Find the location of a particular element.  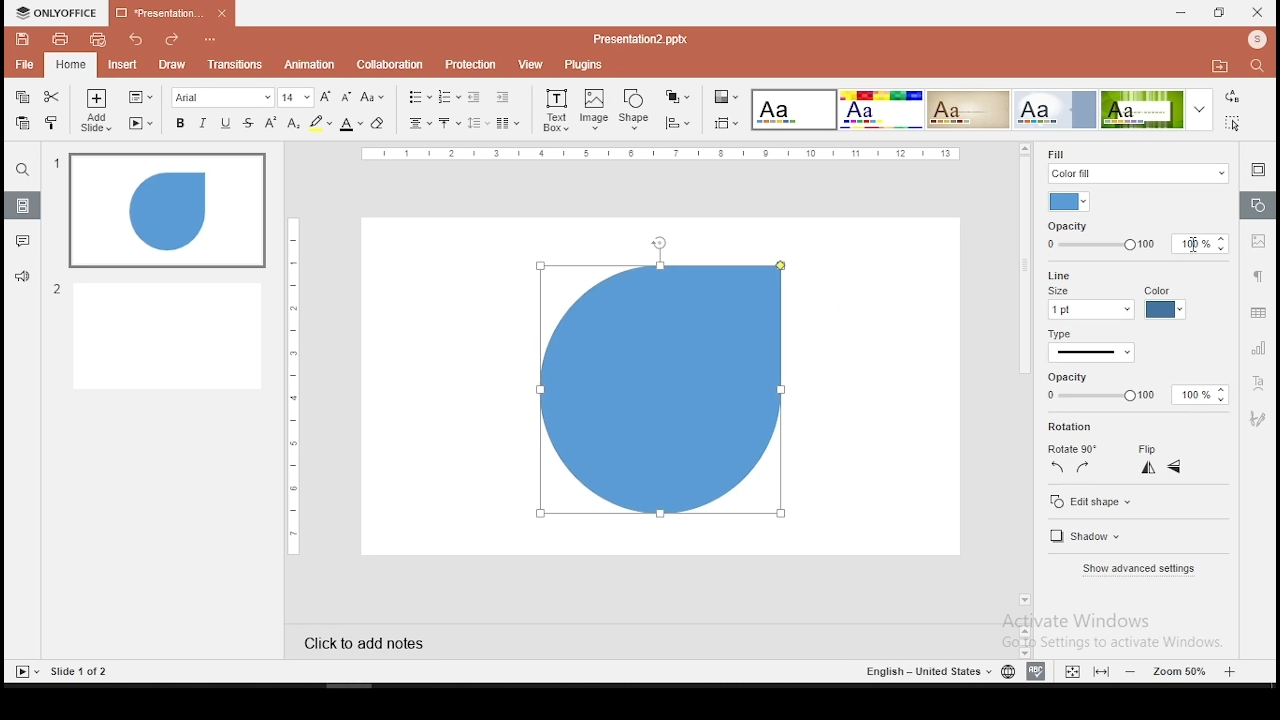

horizontal align is located at coordinates (418, 125).